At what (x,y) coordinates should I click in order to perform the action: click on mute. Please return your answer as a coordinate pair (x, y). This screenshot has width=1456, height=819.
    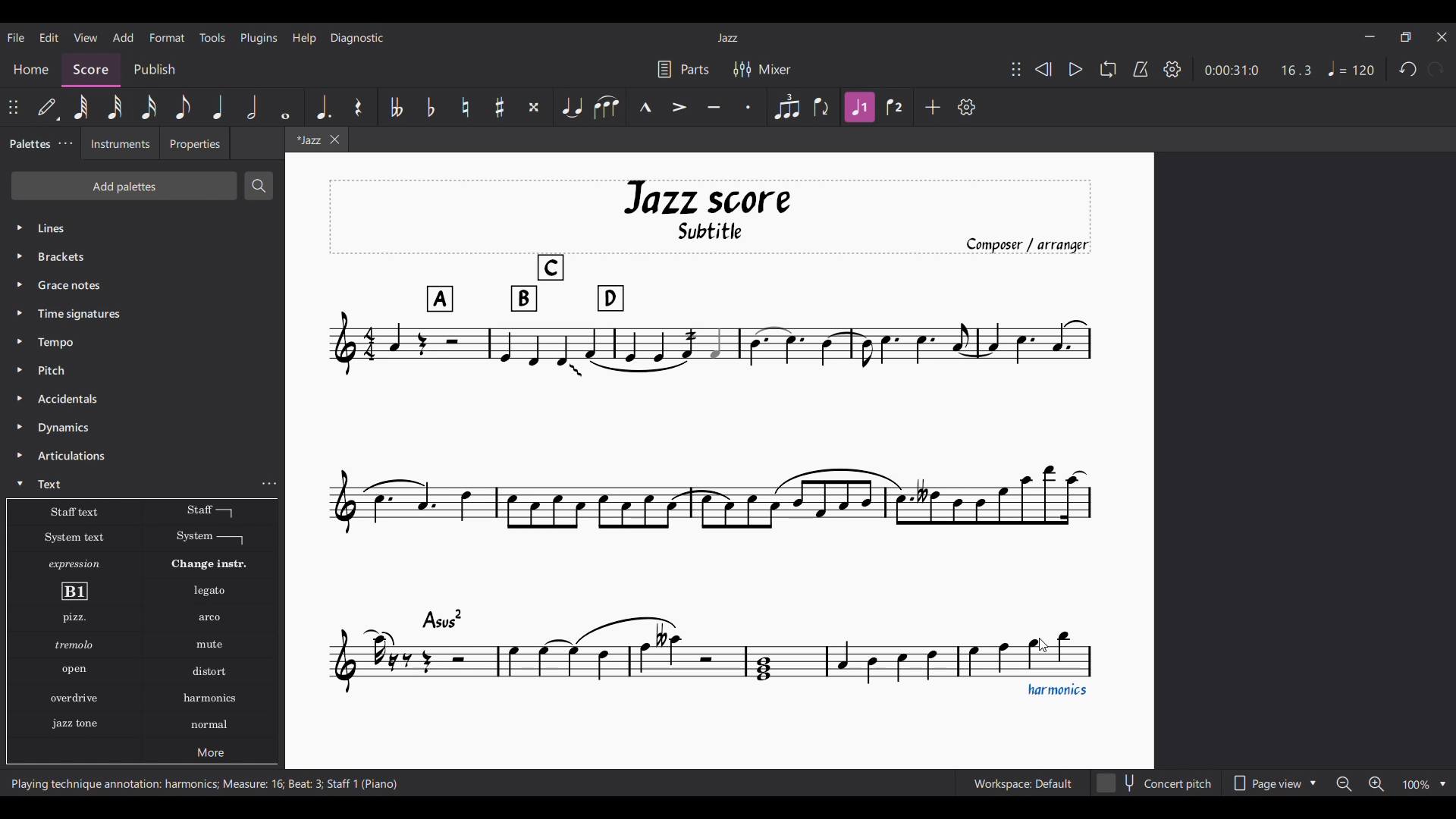
    Looking at the image, I should click on (212, 646).